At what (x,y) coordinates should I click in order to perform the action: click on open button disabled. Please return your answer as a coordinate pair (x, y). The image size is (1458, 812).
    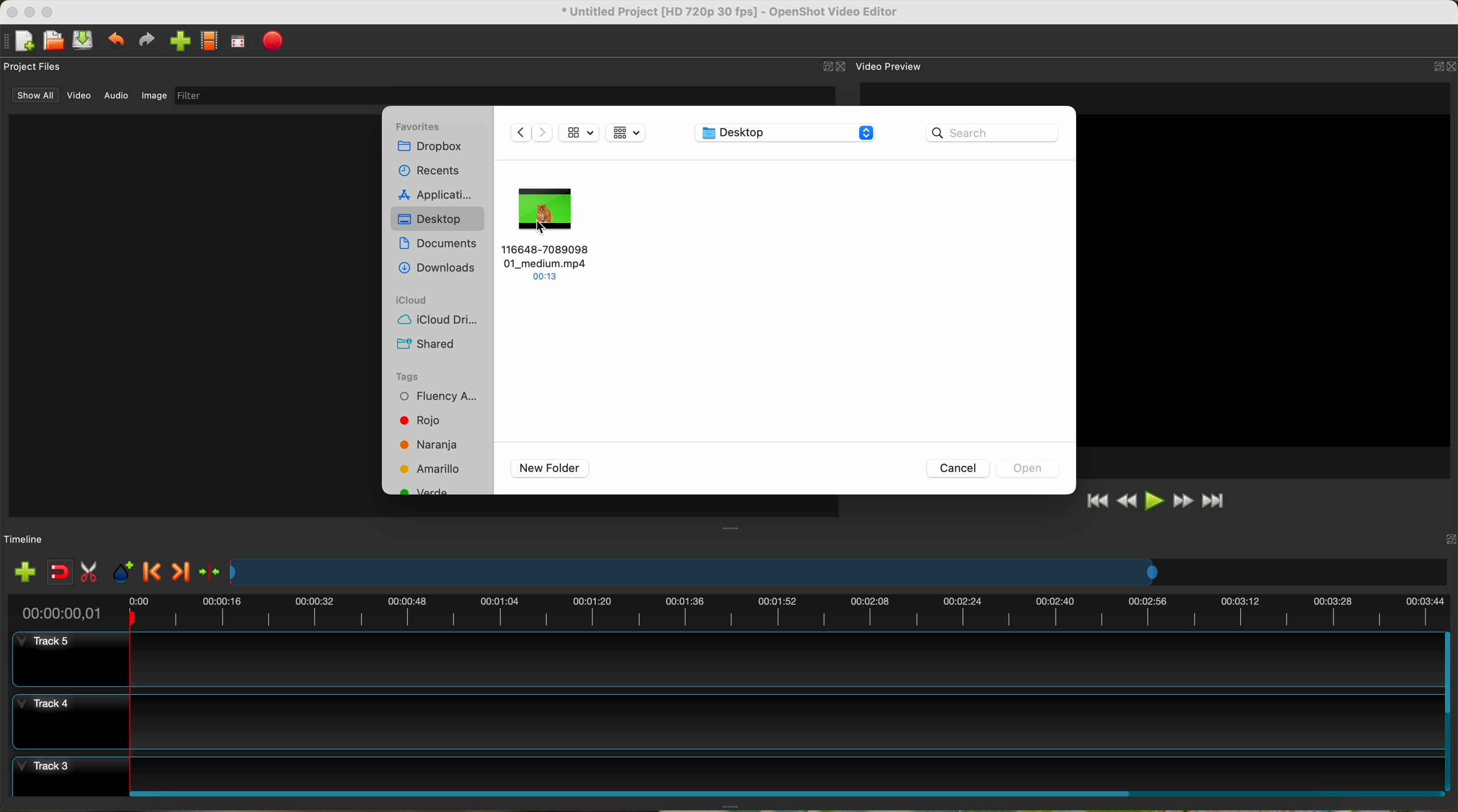
    Looking at the image, I should click on (1027, 467).